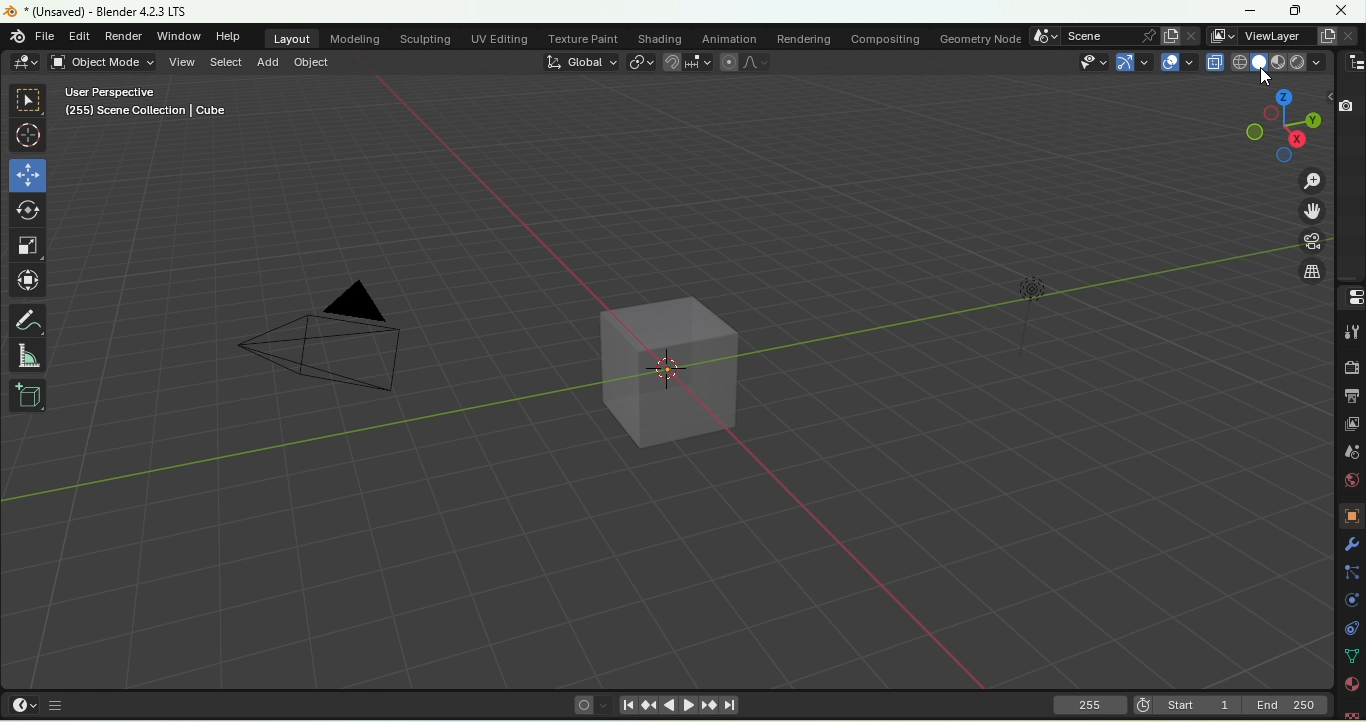 The image size is (1366, 722). What do you see at coordinates (27, 396) in the screenshot?
I see `Cube` at bounding box center [27, 396].